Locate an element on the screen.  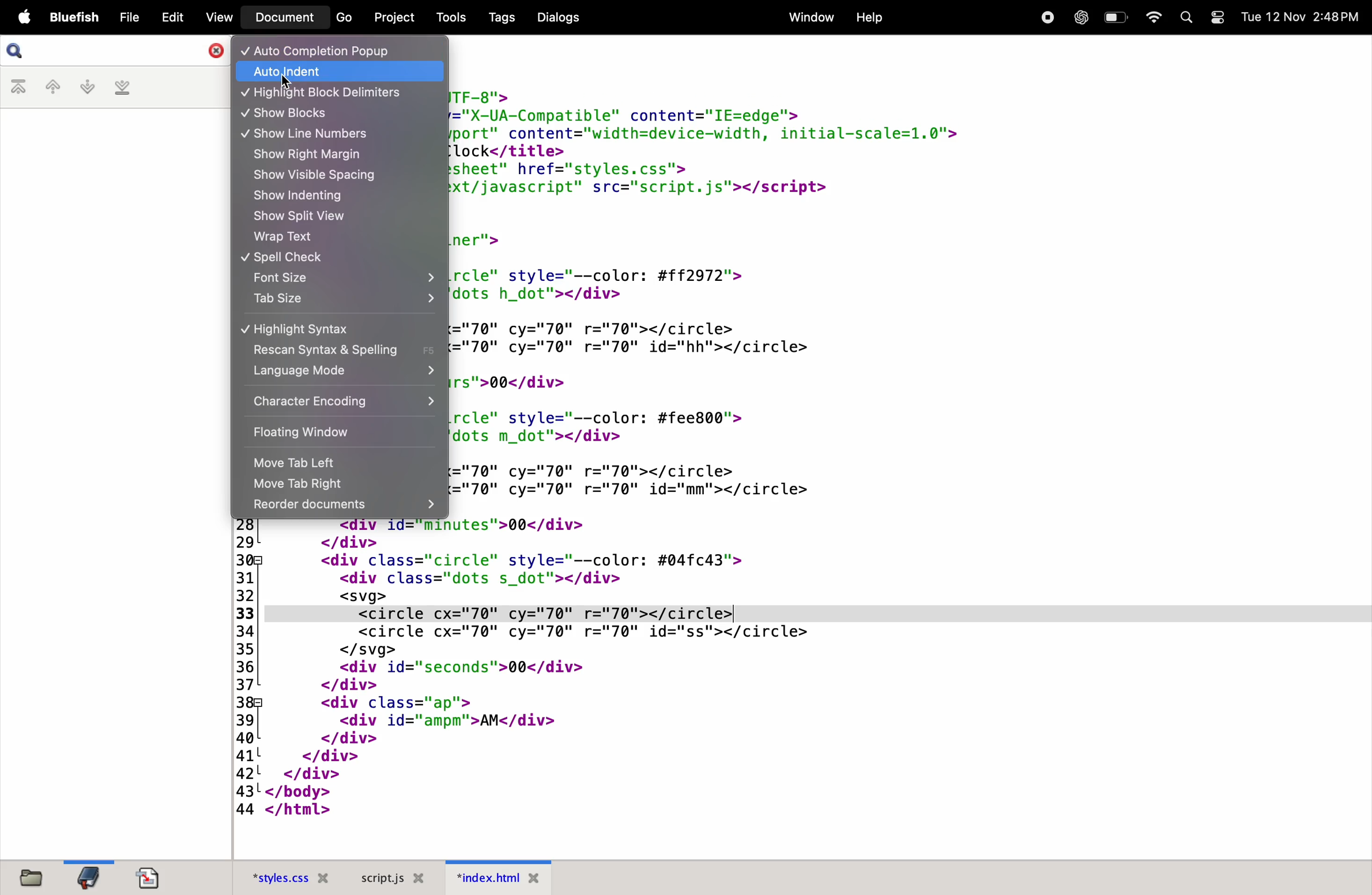
show blocks is located at coordinates (337, 114).